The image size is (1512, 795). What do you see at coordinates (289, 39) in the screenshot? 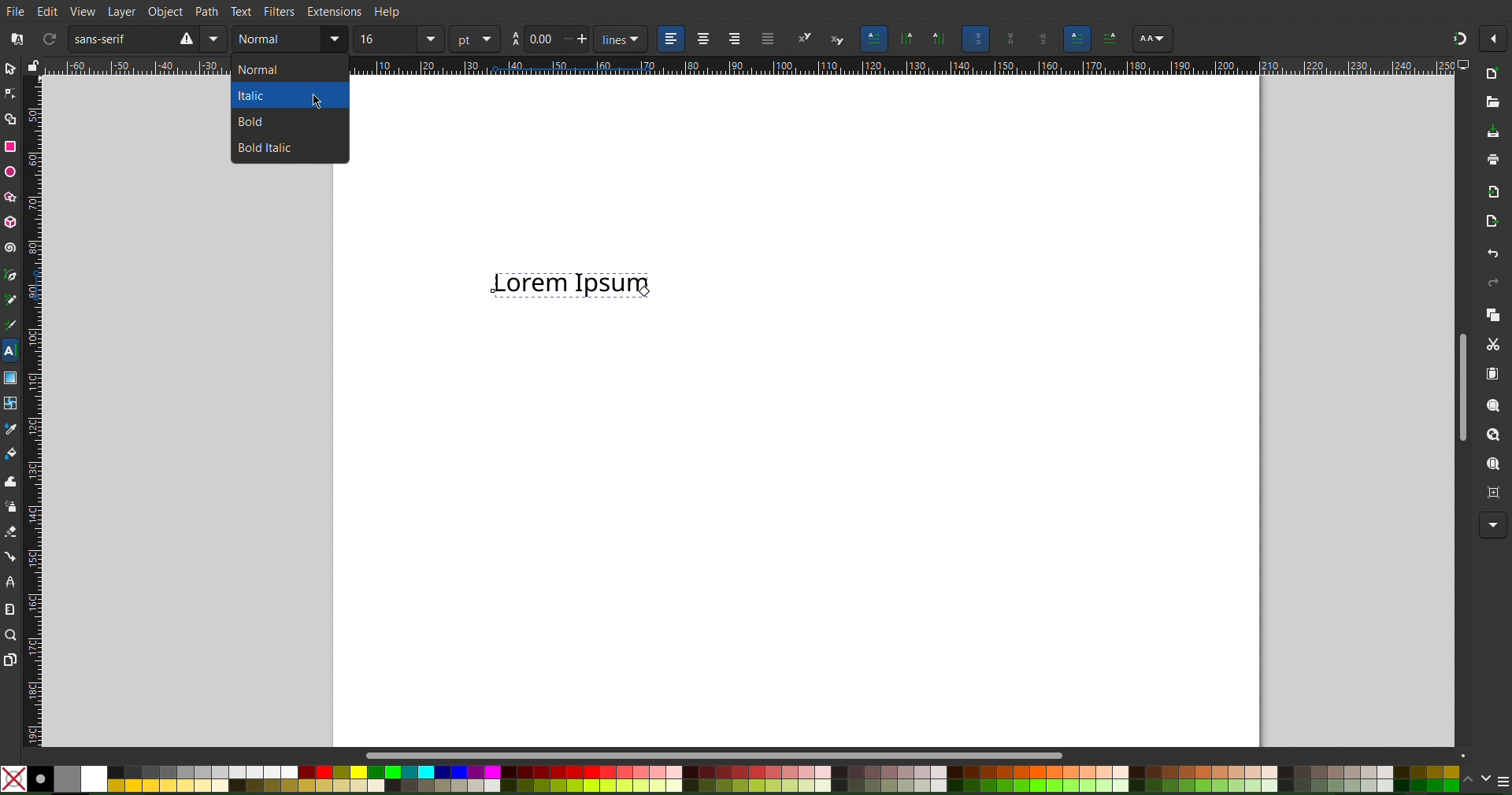
I see `Text Style` at bounding box center [289, 39].